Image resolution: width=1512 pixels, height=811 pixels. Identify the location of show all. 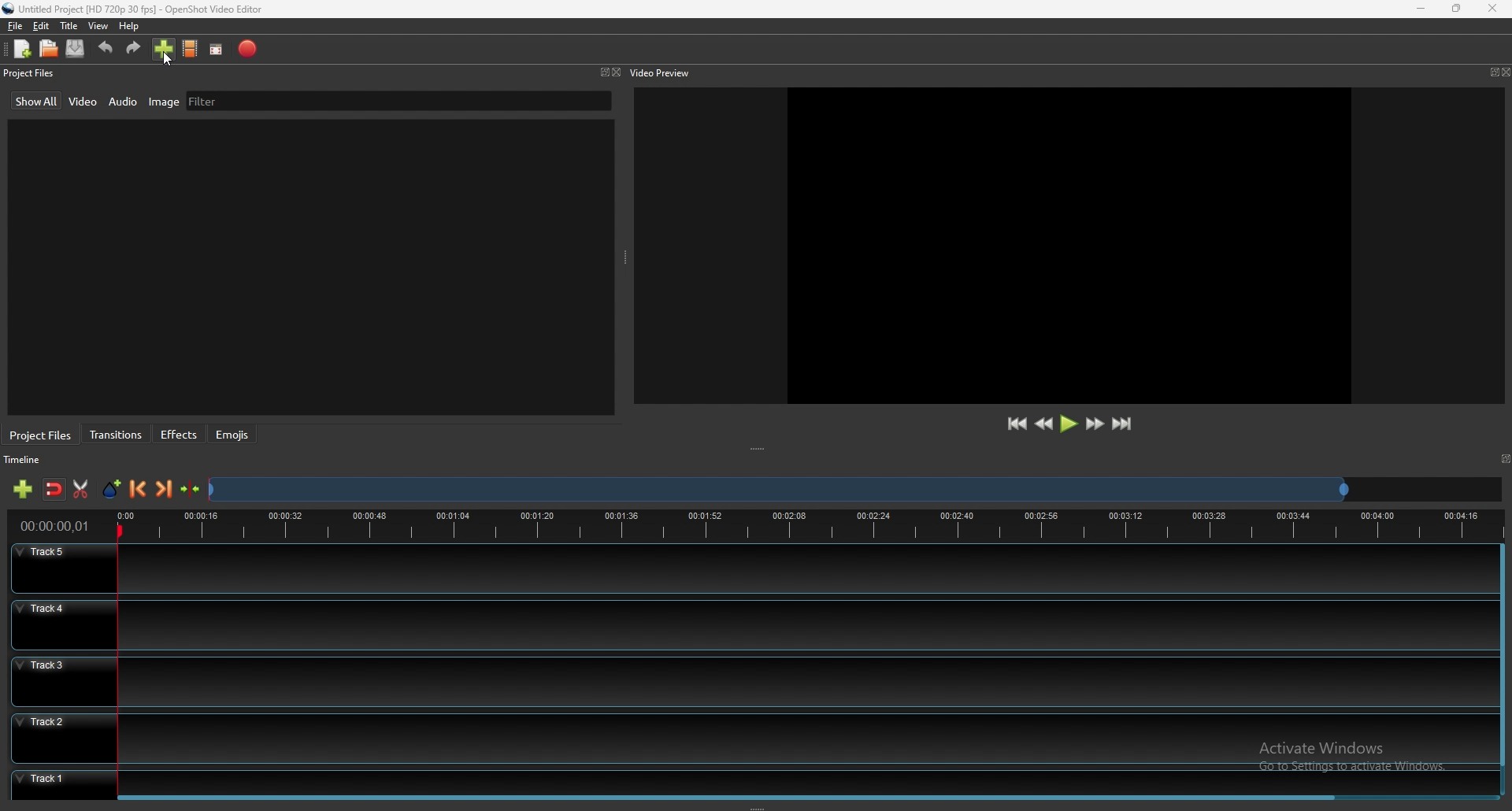
(38, 100).